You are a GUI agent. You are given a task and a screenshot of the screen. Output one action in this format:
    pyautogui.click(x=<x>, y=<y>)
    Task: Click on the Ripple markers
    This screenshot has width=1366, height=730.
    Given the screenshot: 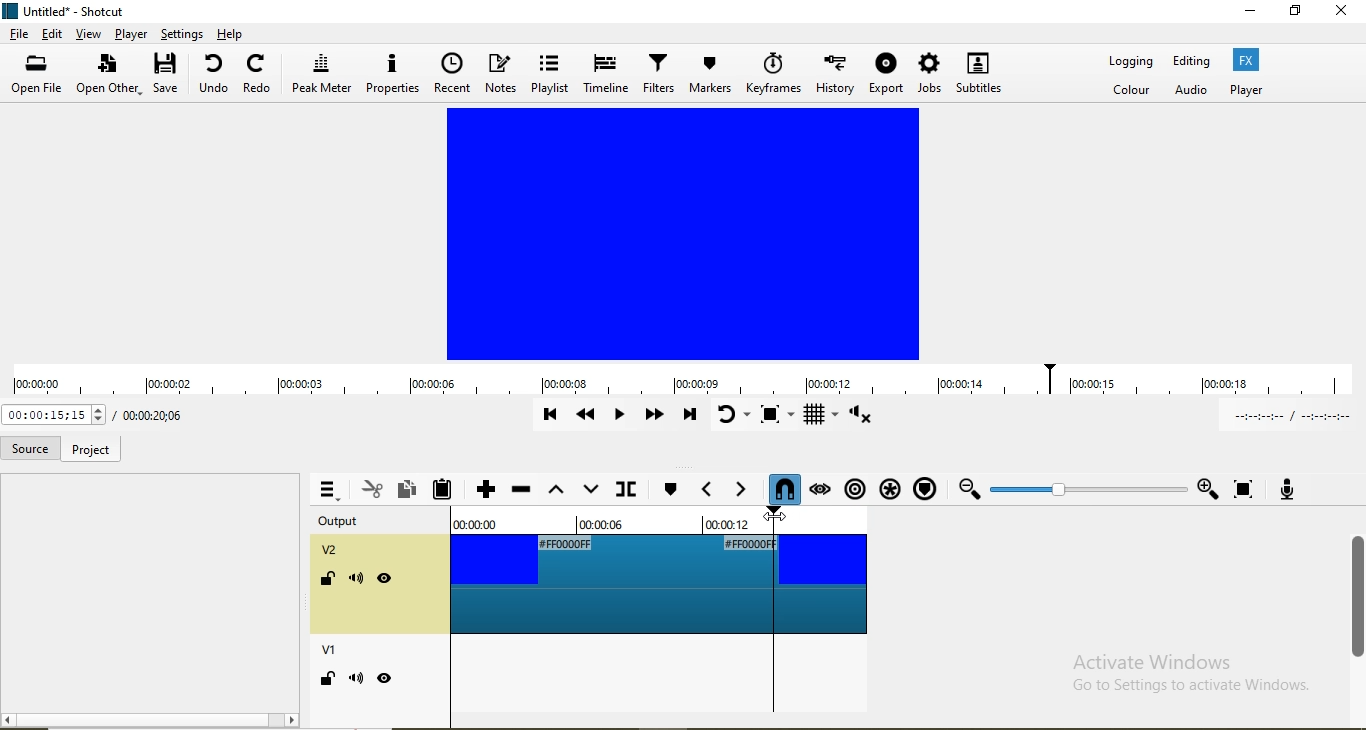 What is the action you would take?
    pyautogui.click(x=853, y=484)
    